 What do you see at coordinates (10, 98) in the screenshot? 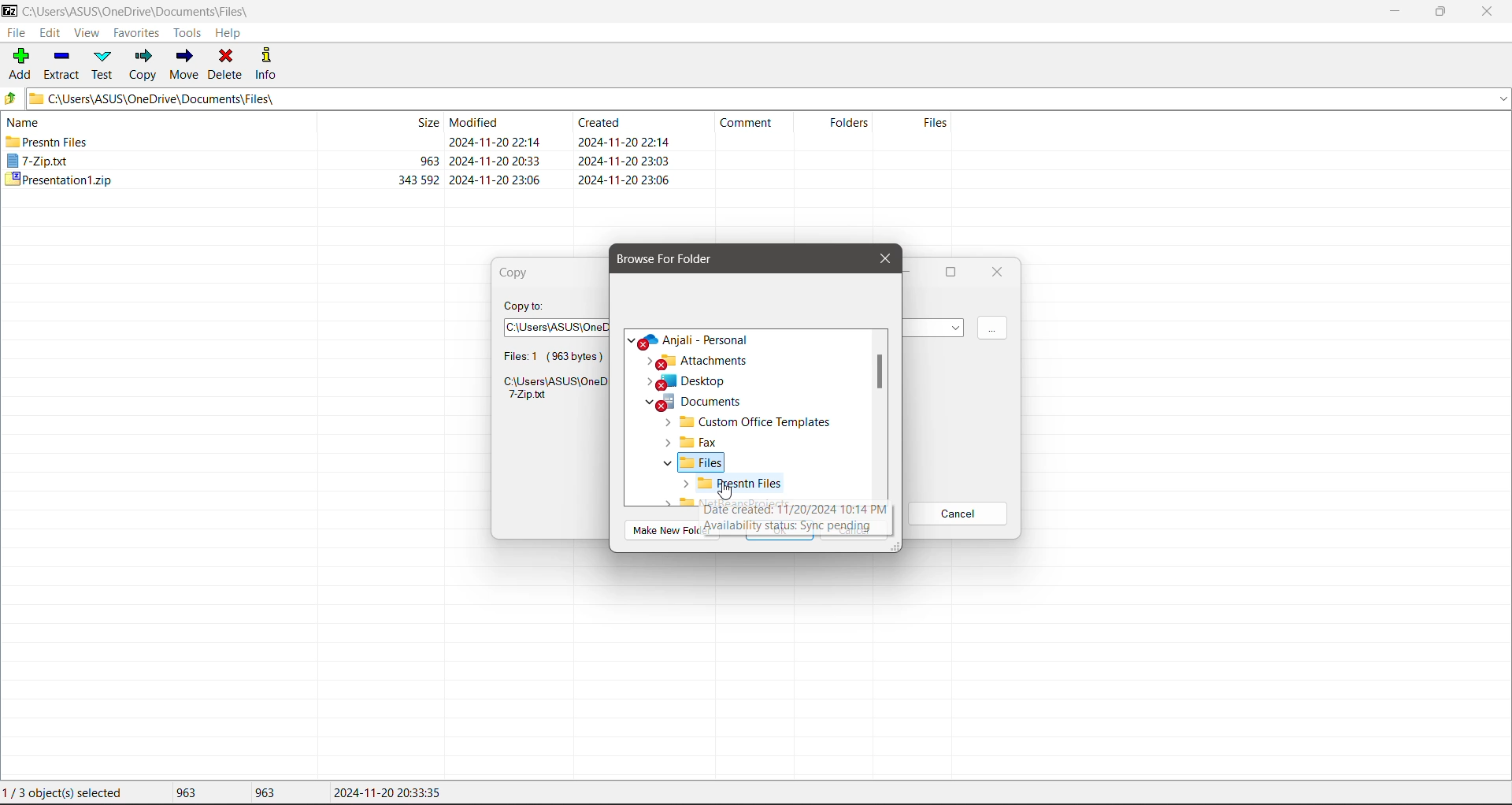
I see `Move Up one level` at bounding box center [10, 98].